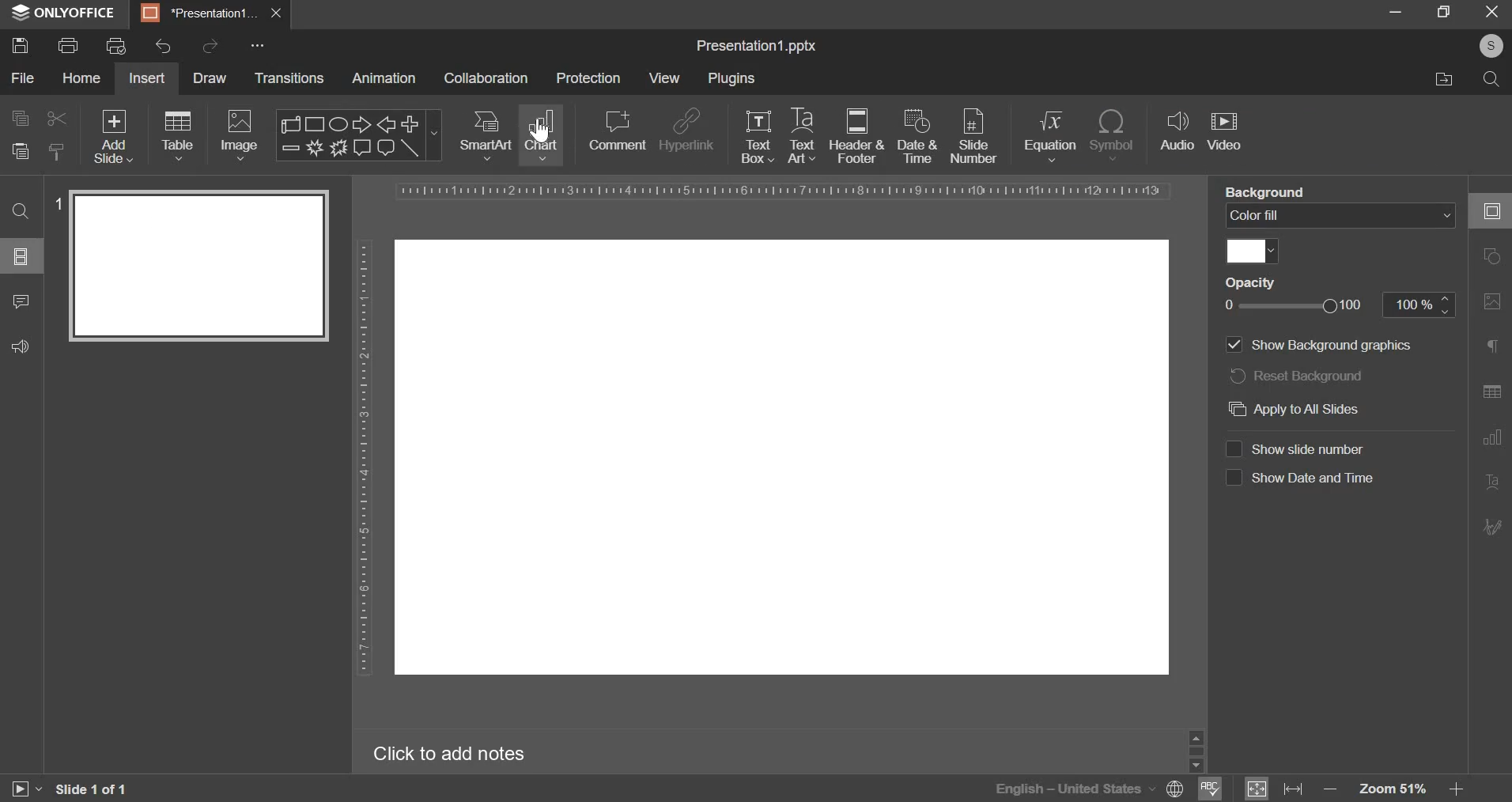  What do you see at coordinates (1213, 789) in the screenshot?
I see `spell check` at bounding box center [1213, 789].